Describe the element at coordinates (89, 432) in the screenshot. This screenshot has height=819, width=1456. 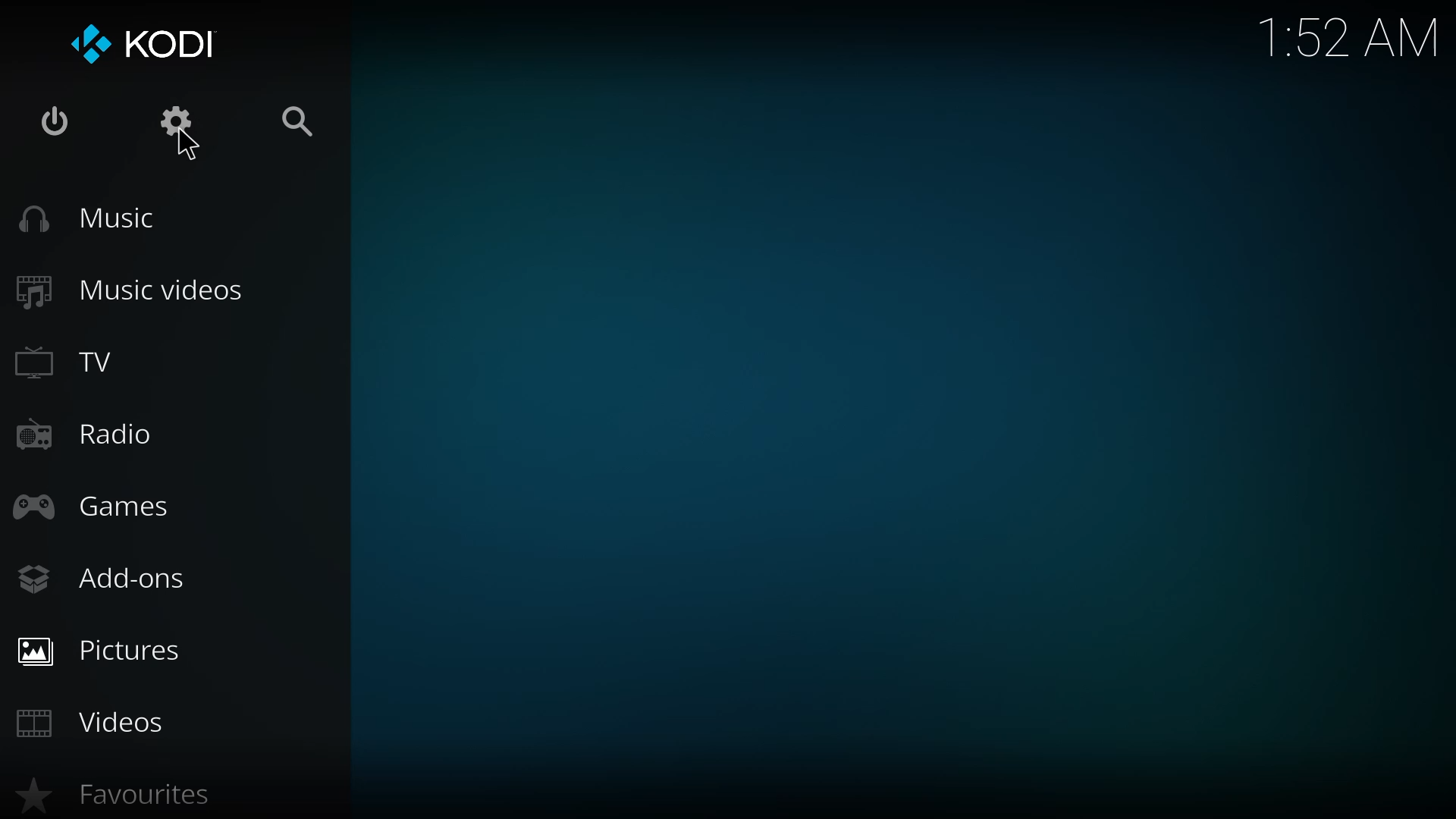
I see `radio` at that location.